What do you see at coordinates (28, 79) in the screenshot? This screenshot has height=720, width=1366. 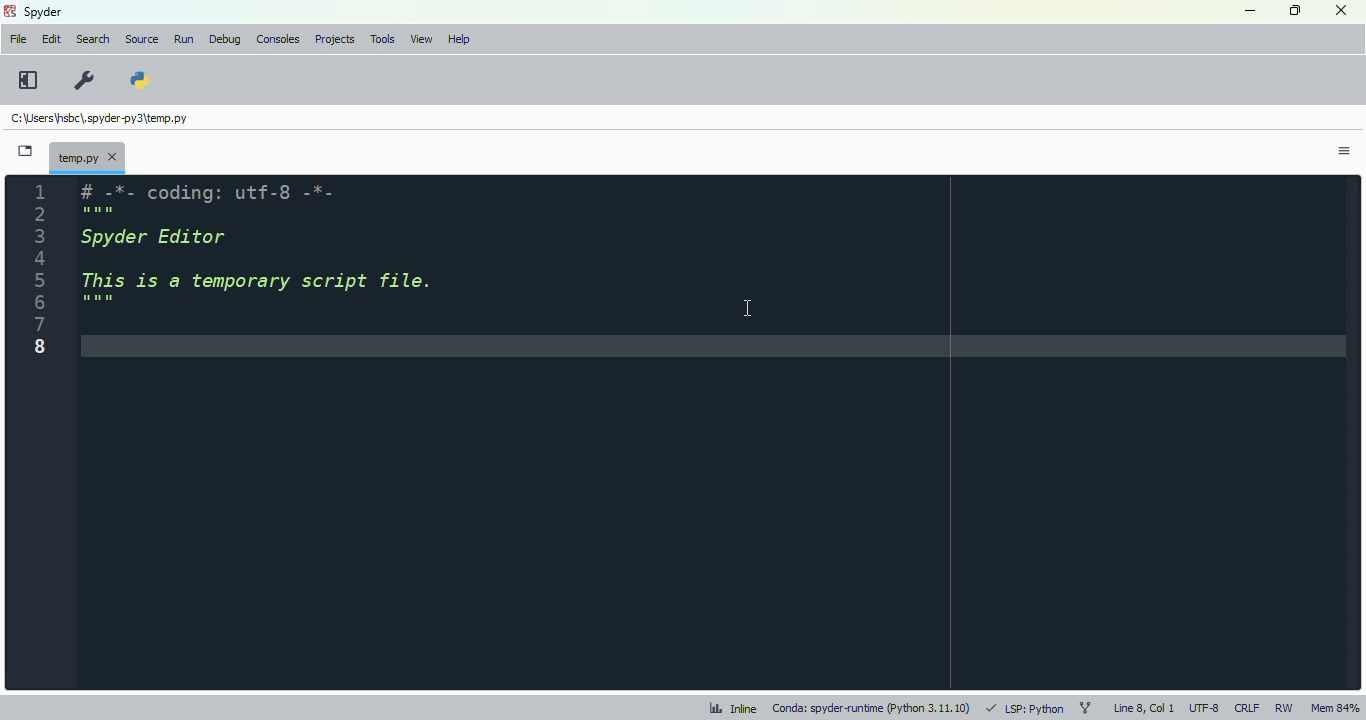 I see `maximize current pane` at bounding box center [28, 79].